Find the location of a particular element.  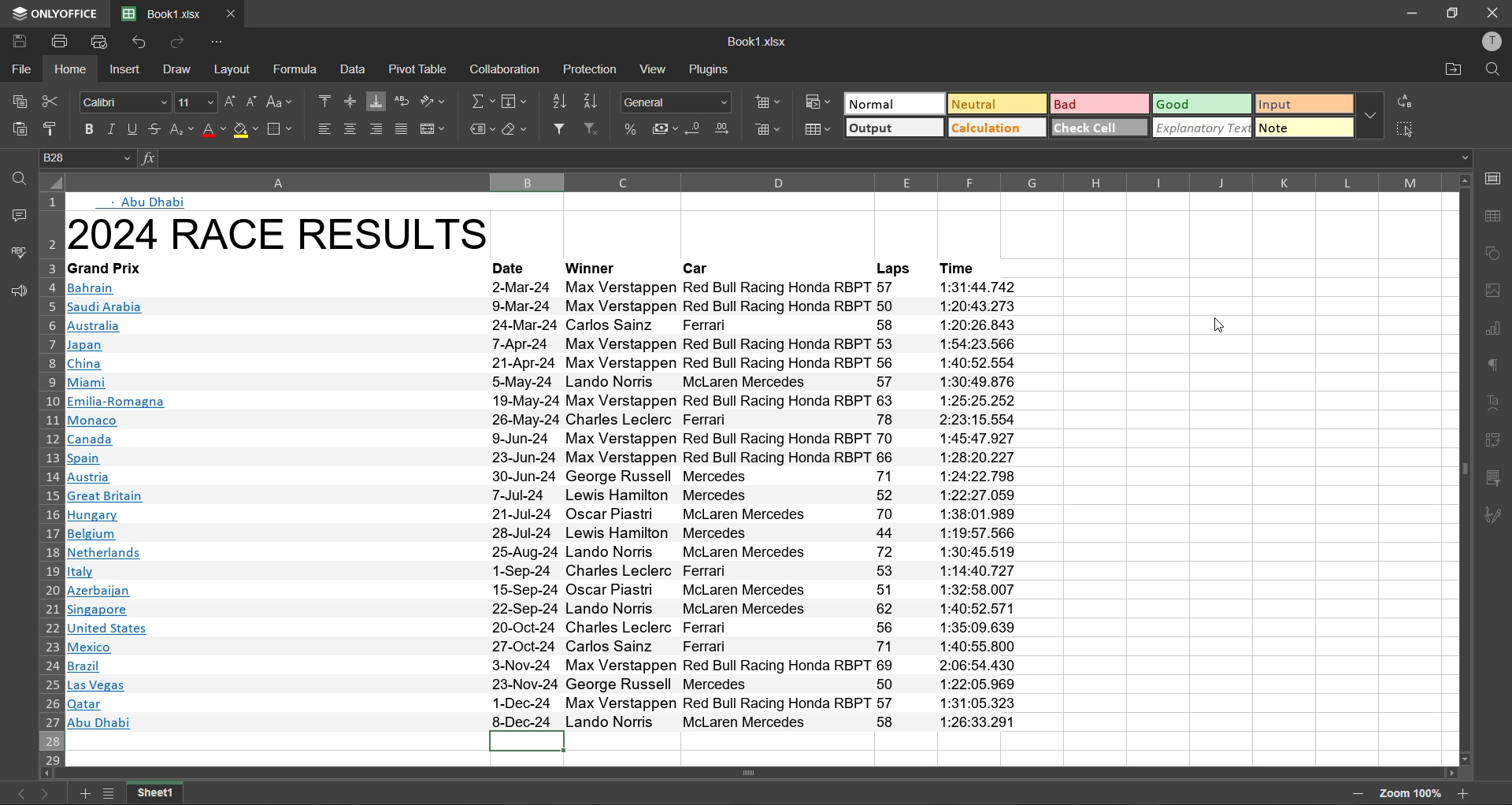

minimize is located at coordinates (1410, 13).